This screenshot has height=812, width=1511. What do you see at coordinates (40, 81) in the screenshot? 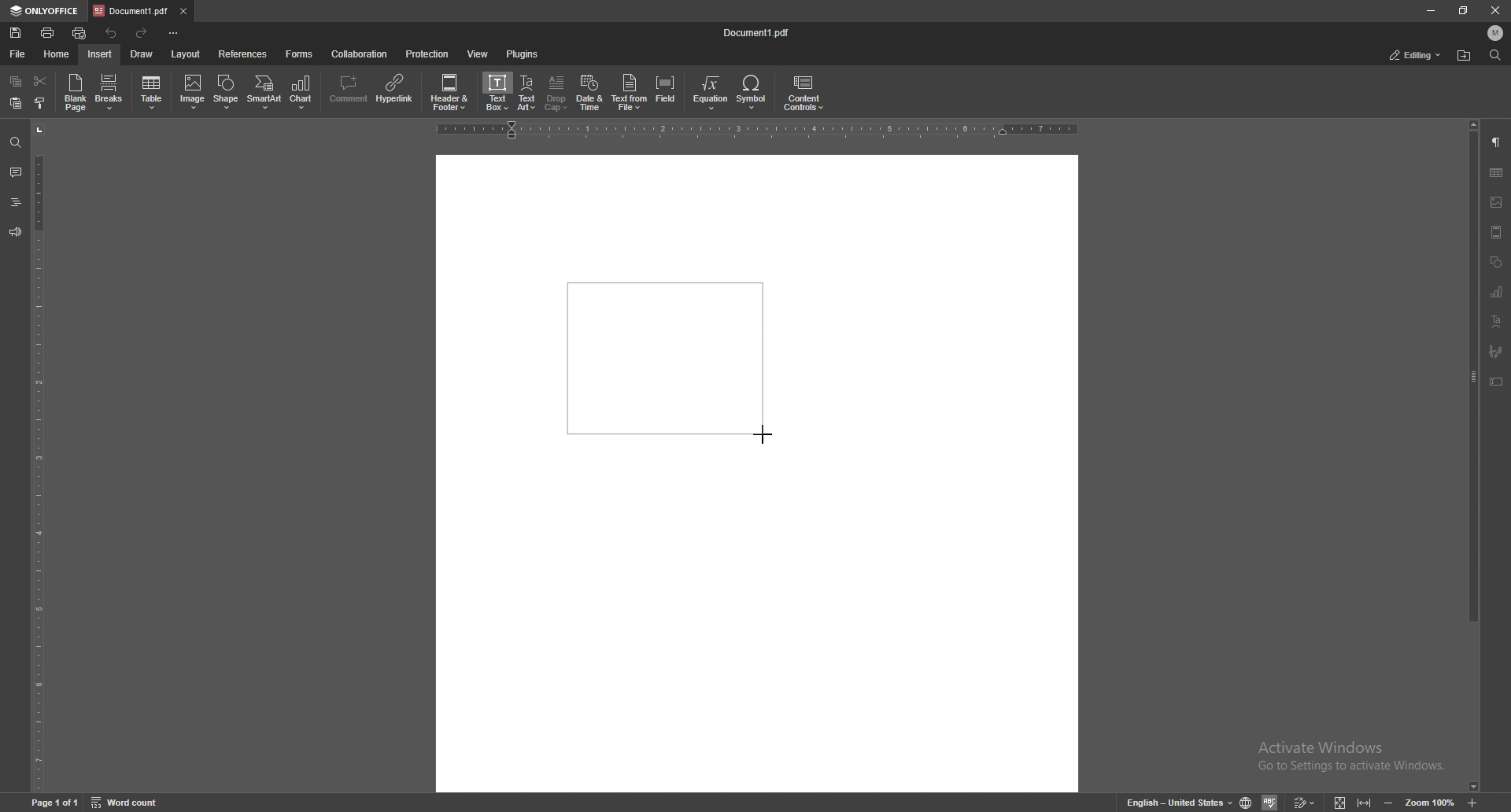
I see `cut` at bounding box center [40, 81].